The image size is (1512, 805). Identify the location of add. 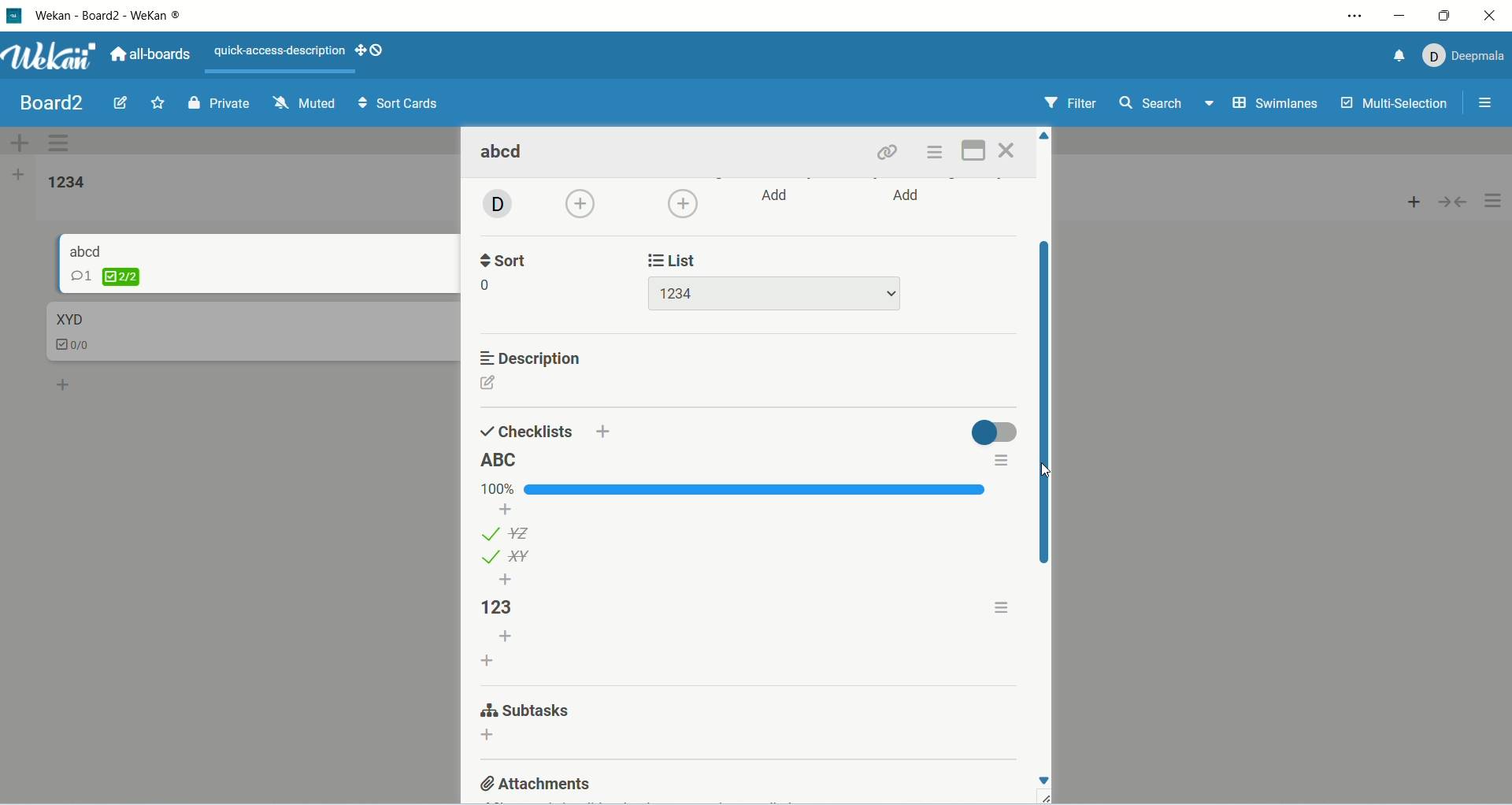
(1410, 205).